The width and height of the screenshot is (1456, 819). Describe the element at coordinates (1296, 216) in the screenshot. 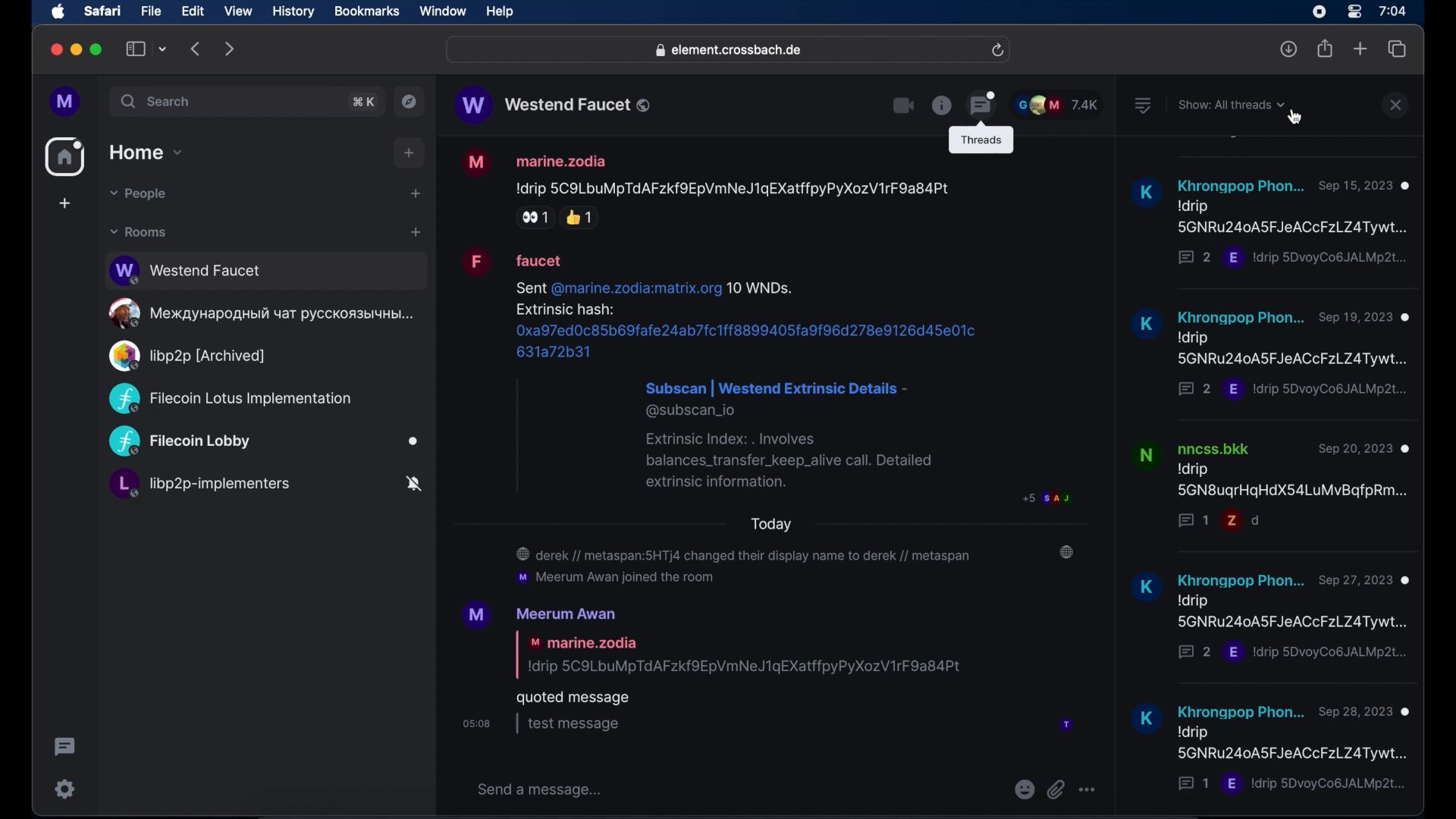

I see ` Idrip SDvoyCo6JALMp2L...` at that location.